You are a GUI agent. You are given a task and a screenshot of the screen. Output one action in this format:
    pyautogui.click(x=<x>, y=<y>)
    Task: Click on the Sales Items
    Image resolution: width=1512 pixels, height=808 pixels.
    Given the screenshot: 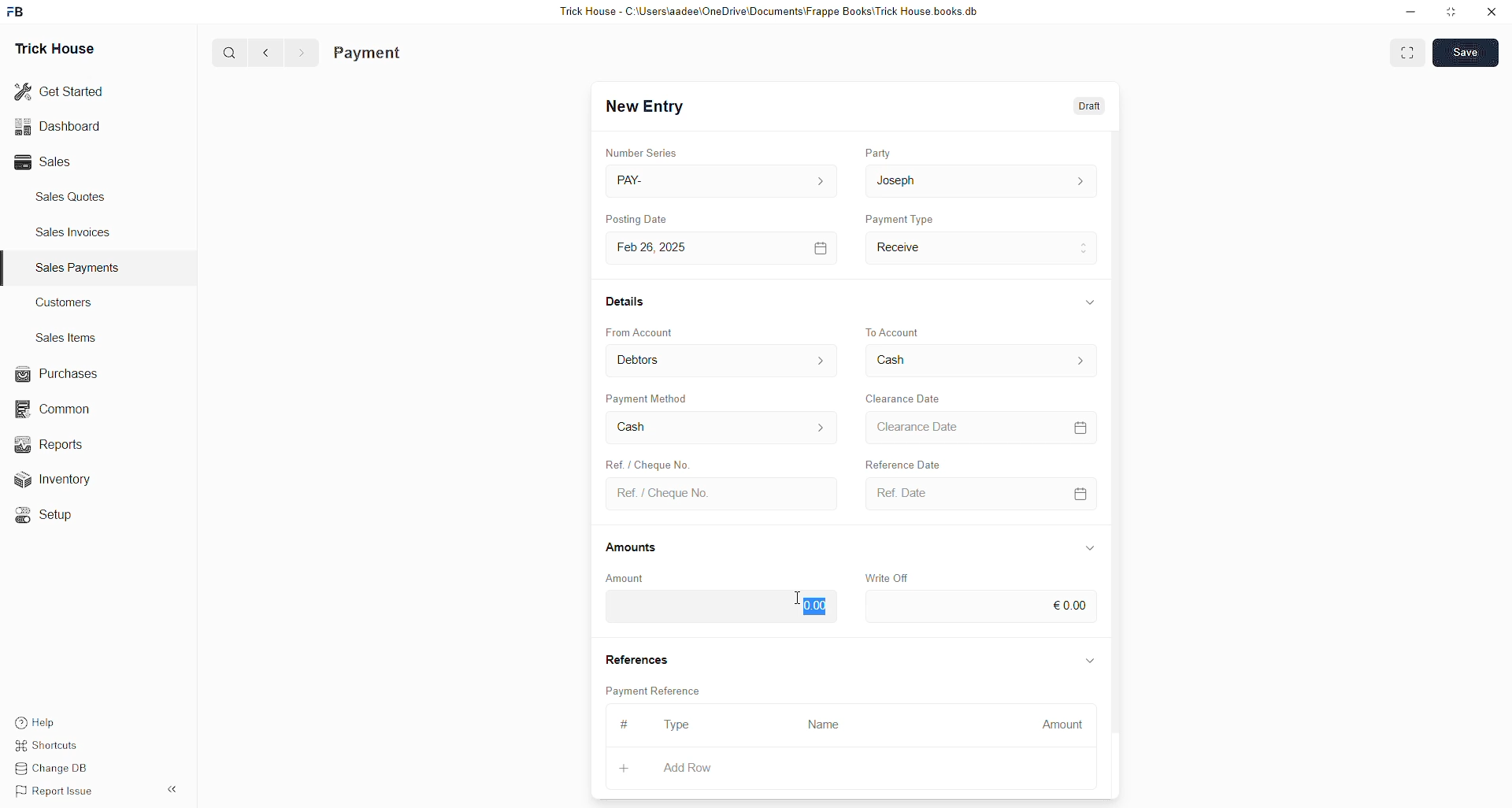 What is the action you would take?
    pyautogui.click(x=67, y=338)
    